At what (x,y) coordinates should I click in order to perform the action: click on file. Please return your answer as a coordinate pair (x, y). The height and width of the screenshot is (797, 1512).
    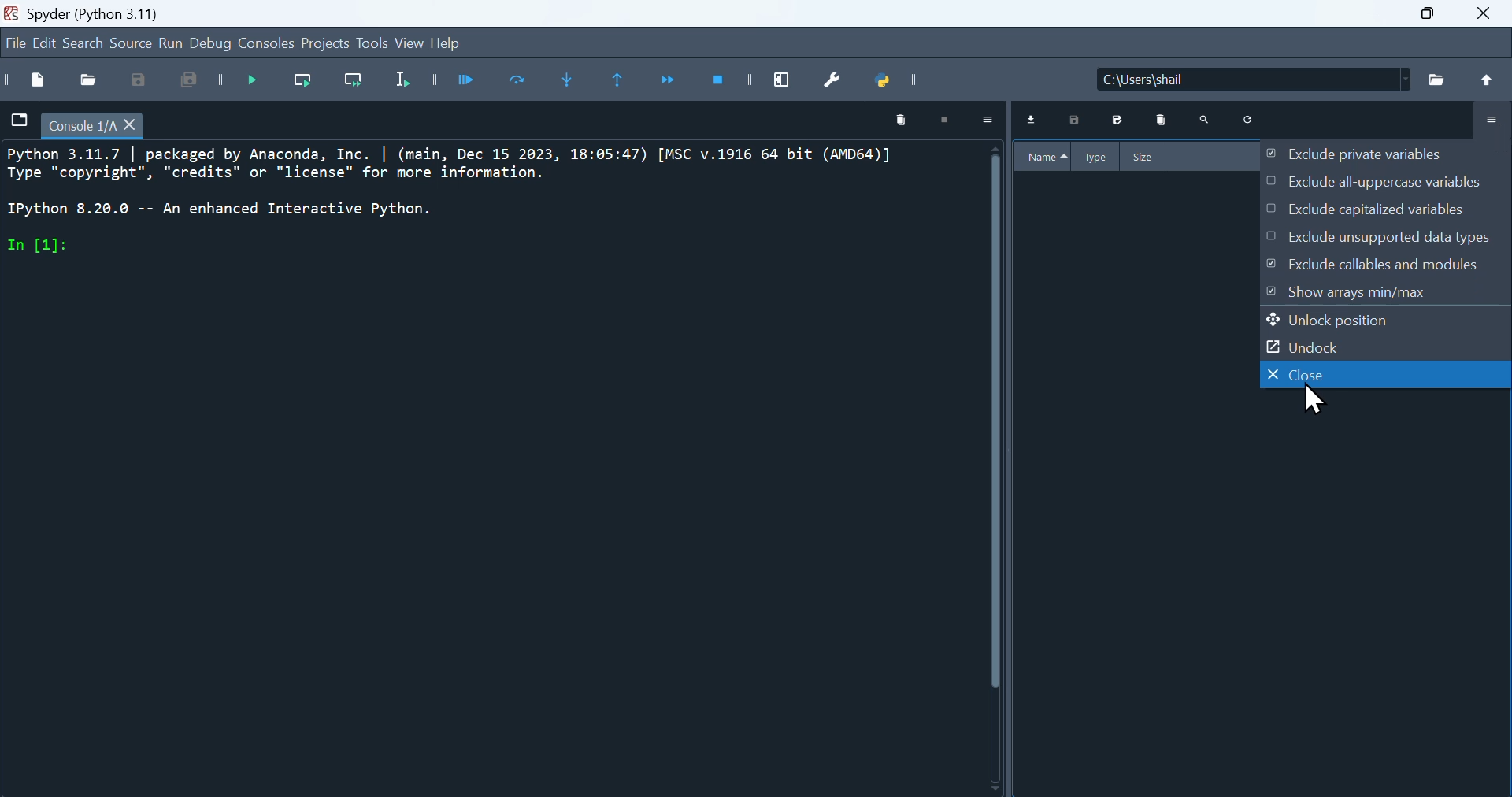
    Looking at the image, I should click on (18, 120).